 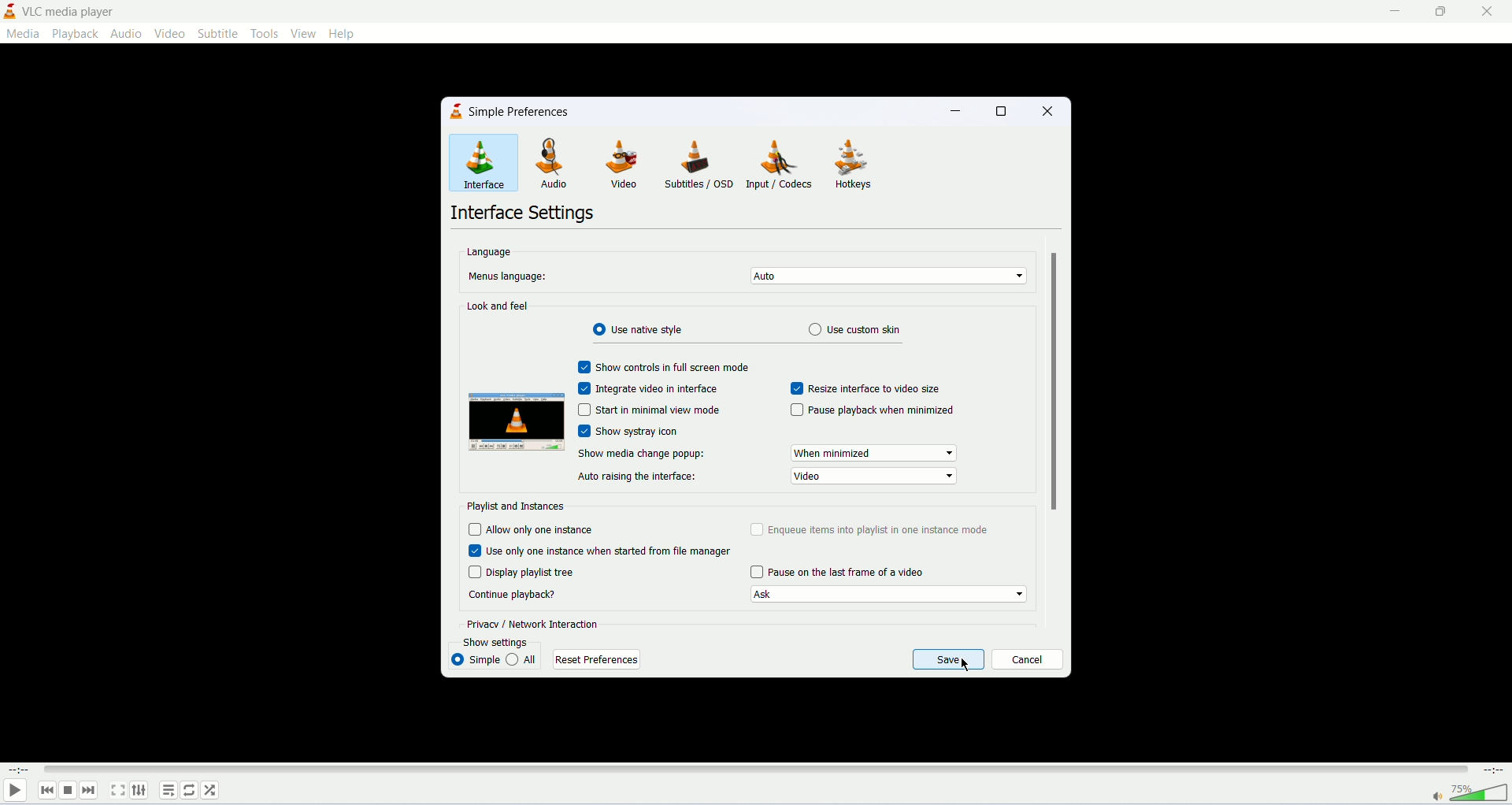 What do you see at coordinates (498, 306) in the screenshot?
I see `look and feel` at bounding box center [498, 306].